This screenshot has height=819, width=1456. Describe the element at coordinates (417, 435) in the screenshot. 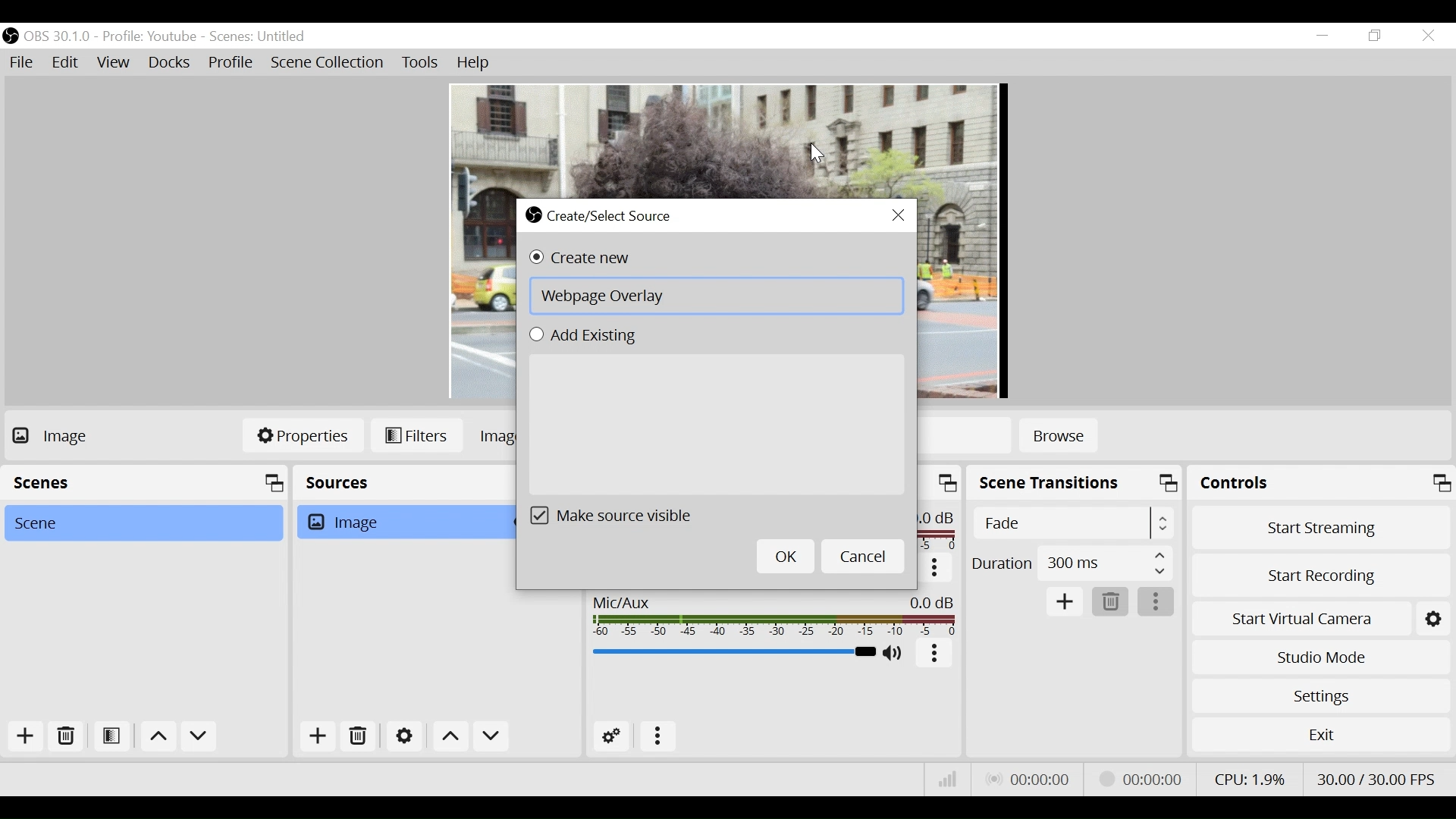

I see `Filters` at that location.